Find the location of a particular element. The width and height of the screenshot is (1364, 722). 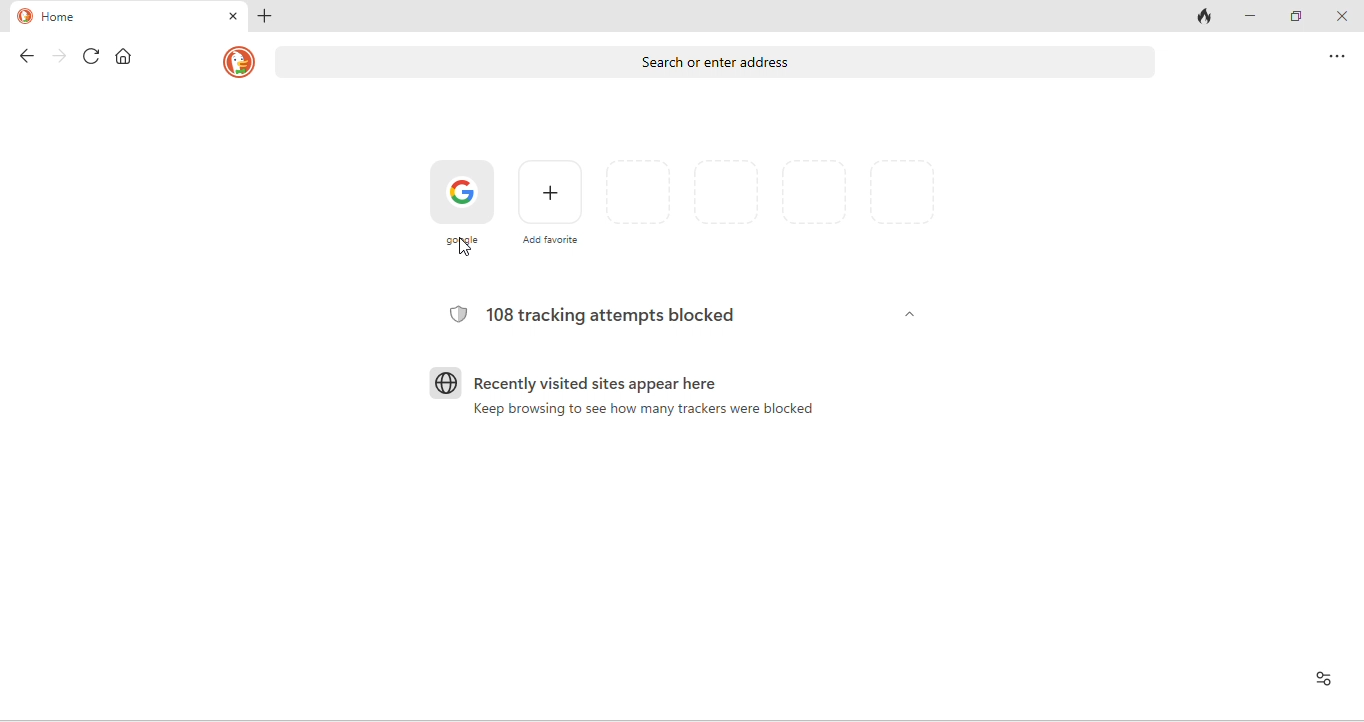

maximize is located at coordinates (1293, 16).